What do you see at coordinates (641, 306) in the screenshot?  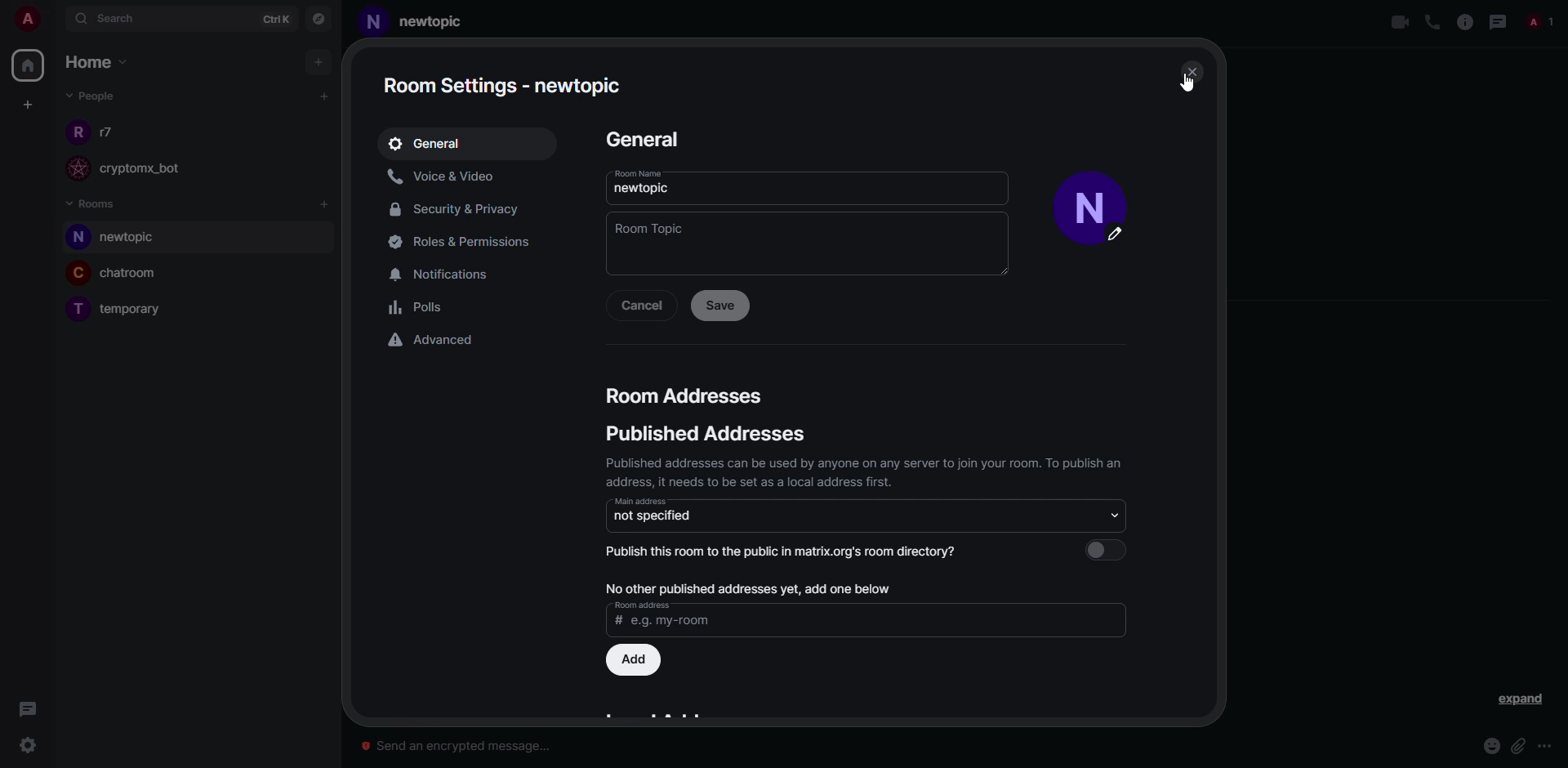 I see `cancel` at bounding box center [641, 306].